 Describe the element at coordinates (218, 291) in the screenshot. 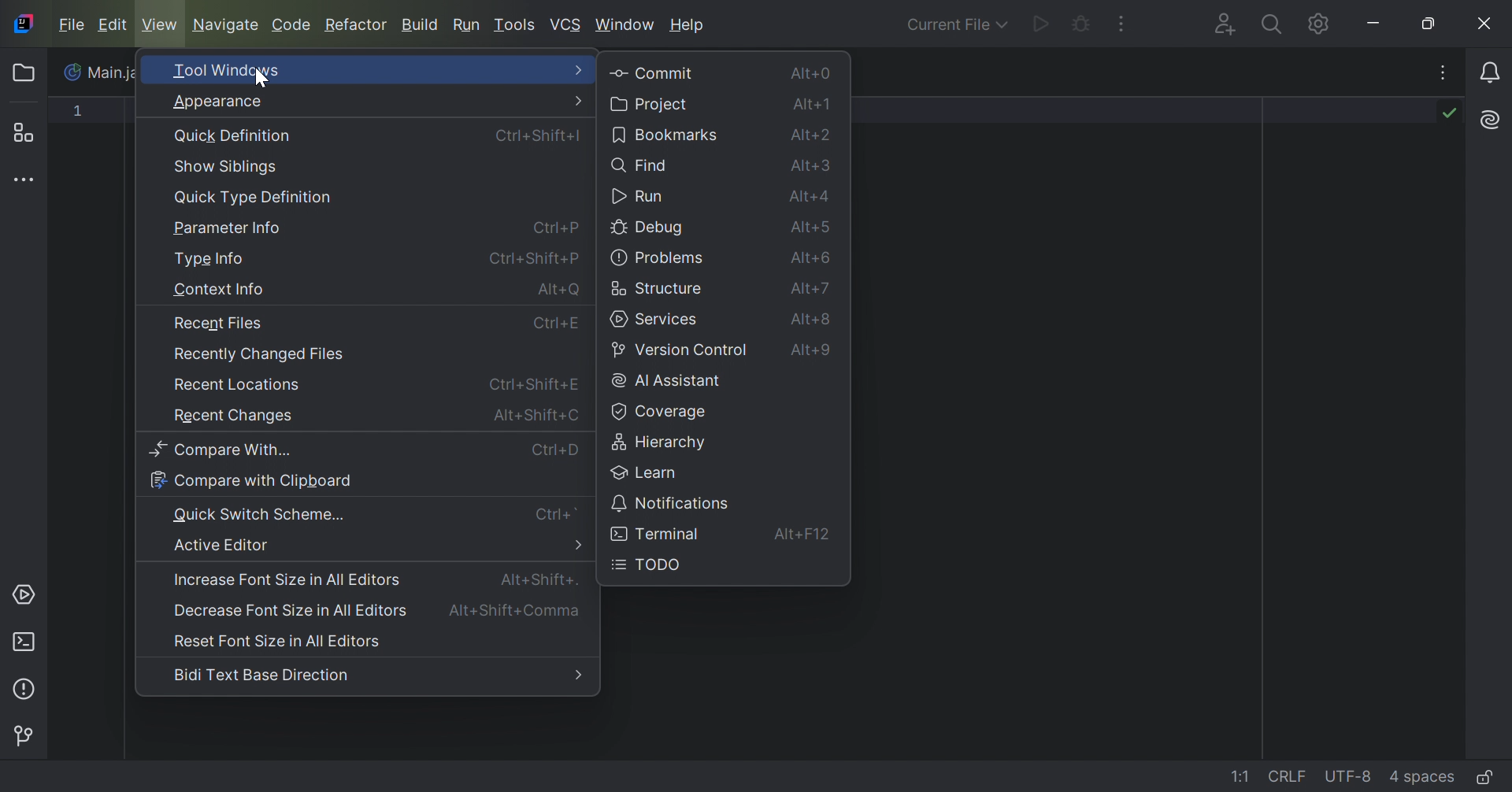

I see `Context Info` at that location.